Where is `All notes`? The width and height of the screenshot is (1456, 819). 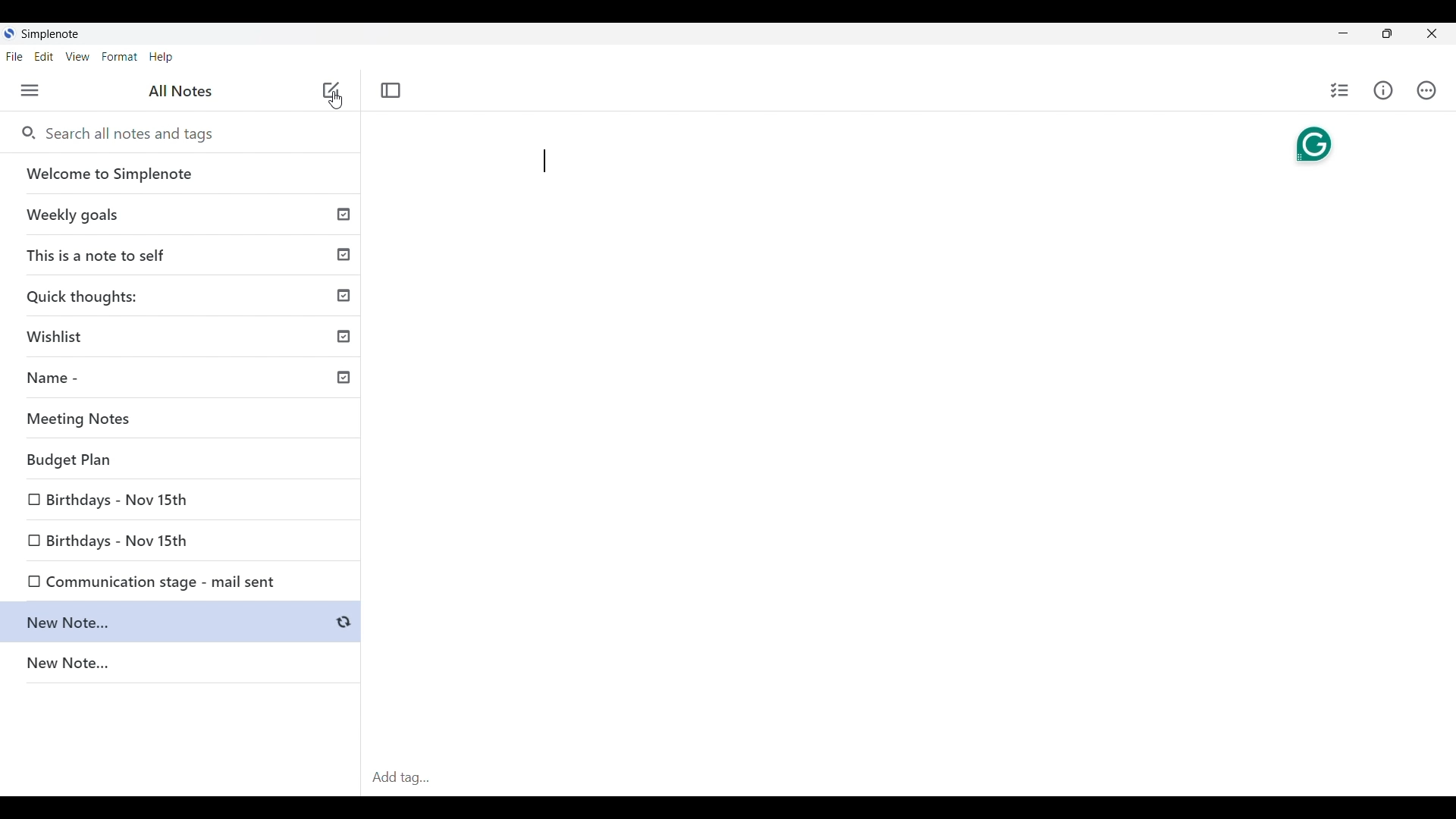
All notes is located at coordinates (180, 90).